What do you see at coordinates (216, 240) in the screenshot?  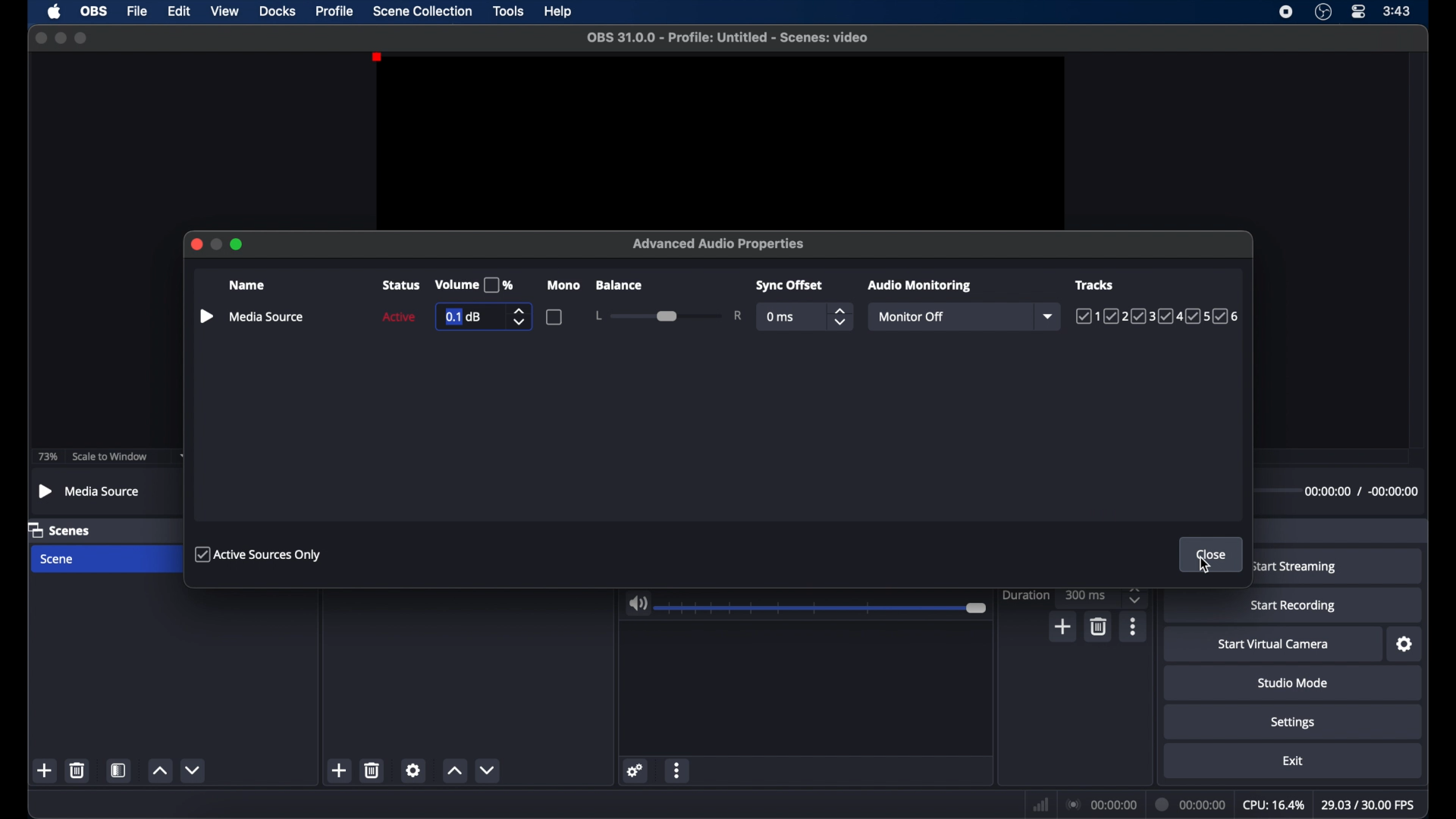 I see `minimize` at bounding box center [216, 240].